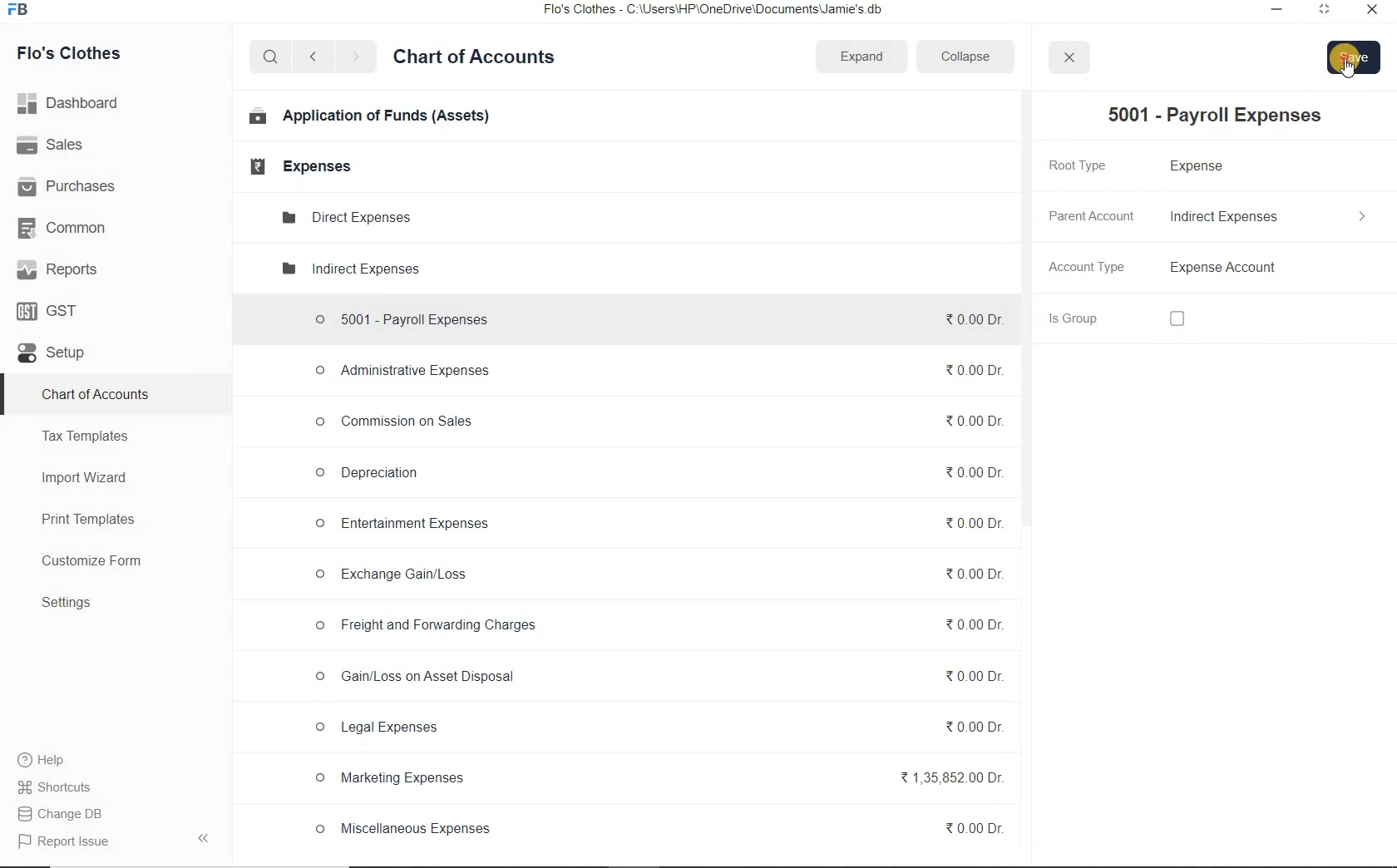 The image size is (1397, 868). I want to click on © Depreciation 20.000r, so click(656, 471).